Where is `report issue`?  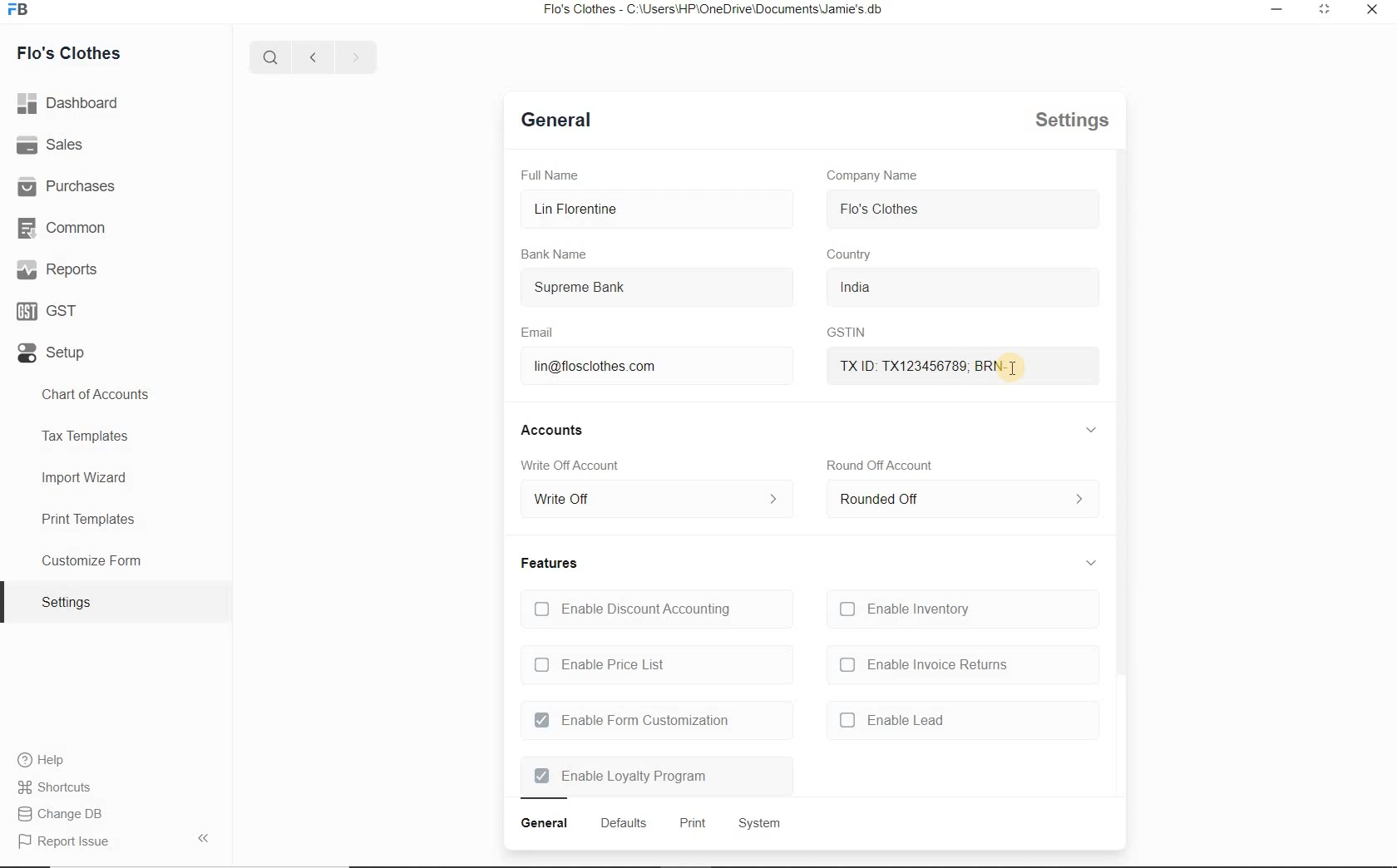
report issue is located at coordinates (72, 842).